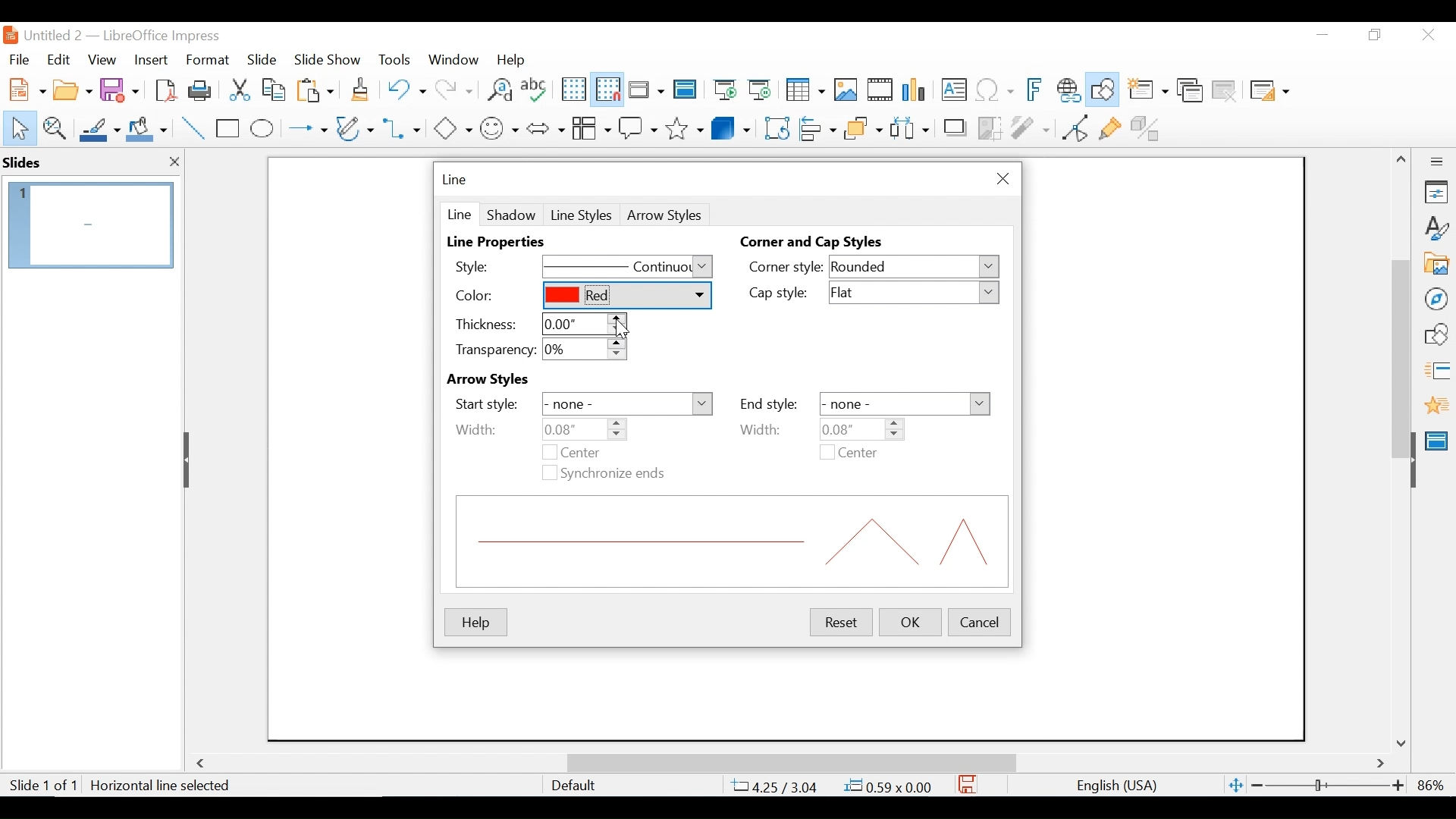  What do you see at coordinates (582, 215) in the screenshot?
I see `Line Styles` at bounding box center [582, 215].